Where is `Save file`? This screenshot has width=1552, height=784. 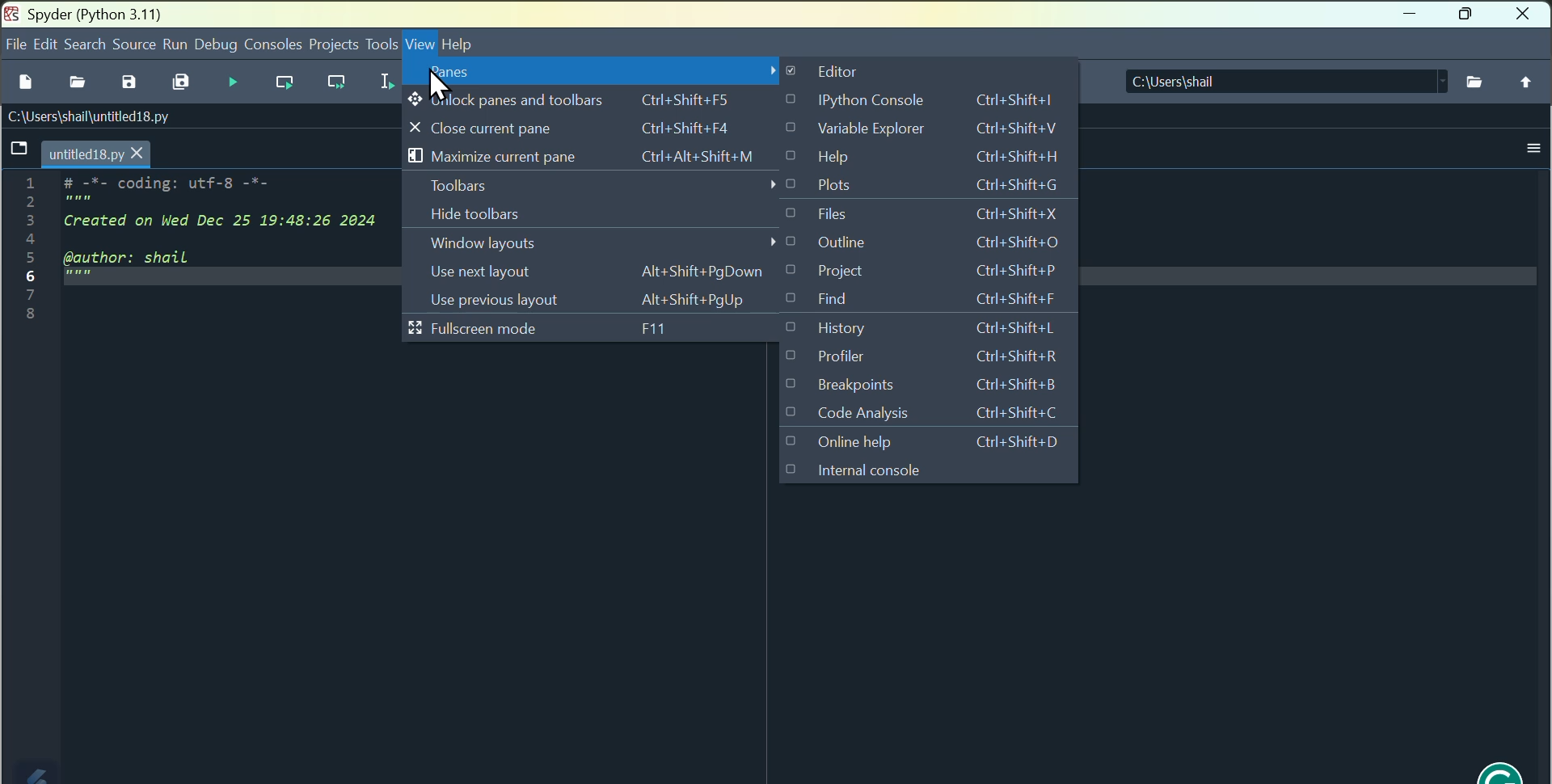
Save file is located at coordinates (129, 82).